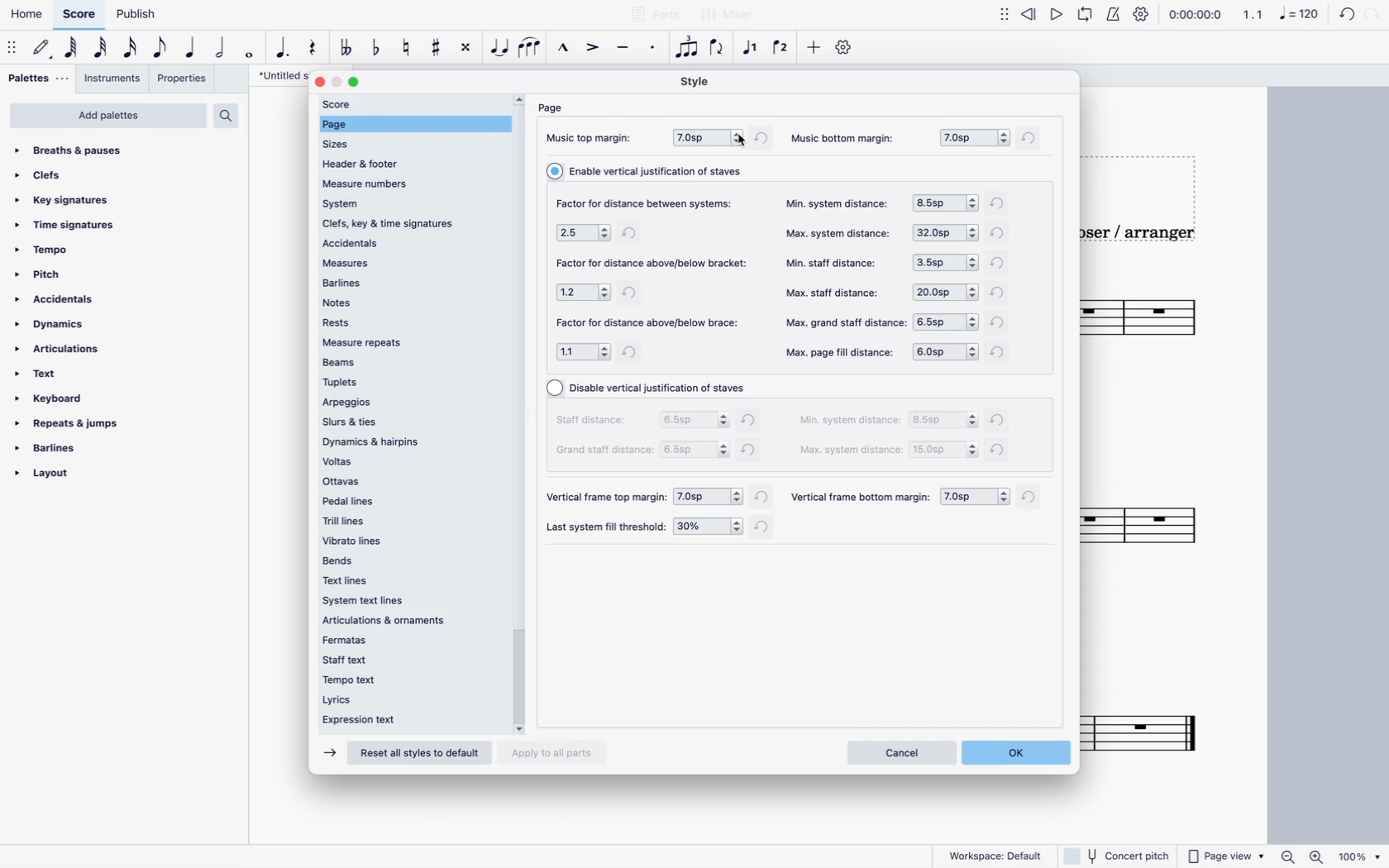 The image size is (1389, 868). Describe the element at coordinates (1003, 19) in the screenshot. I see `show/hide` at that location.